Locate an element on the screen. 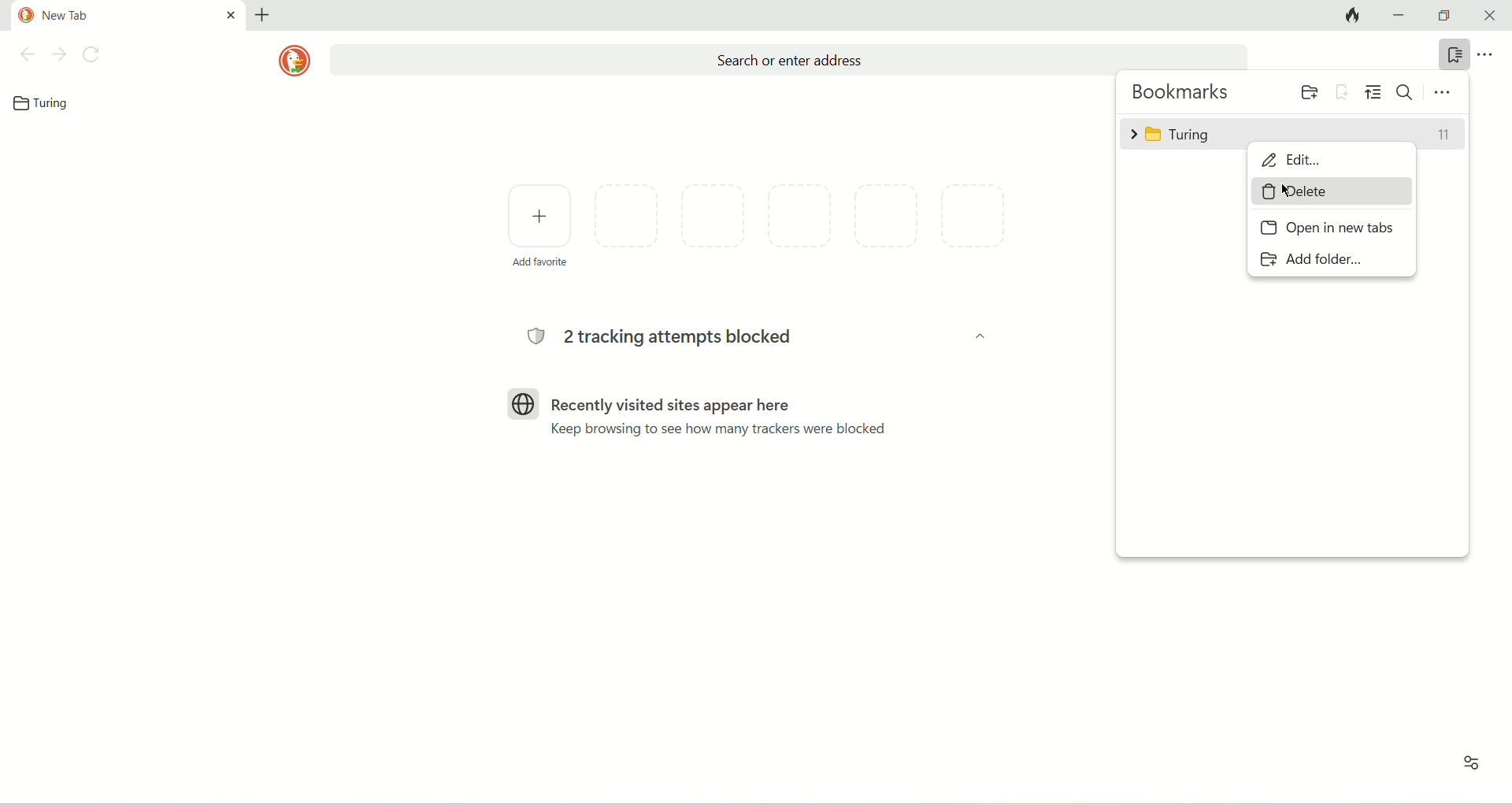 This screenshot has height=805, width=1512. home page settings is located at coordinates (1468, 769).